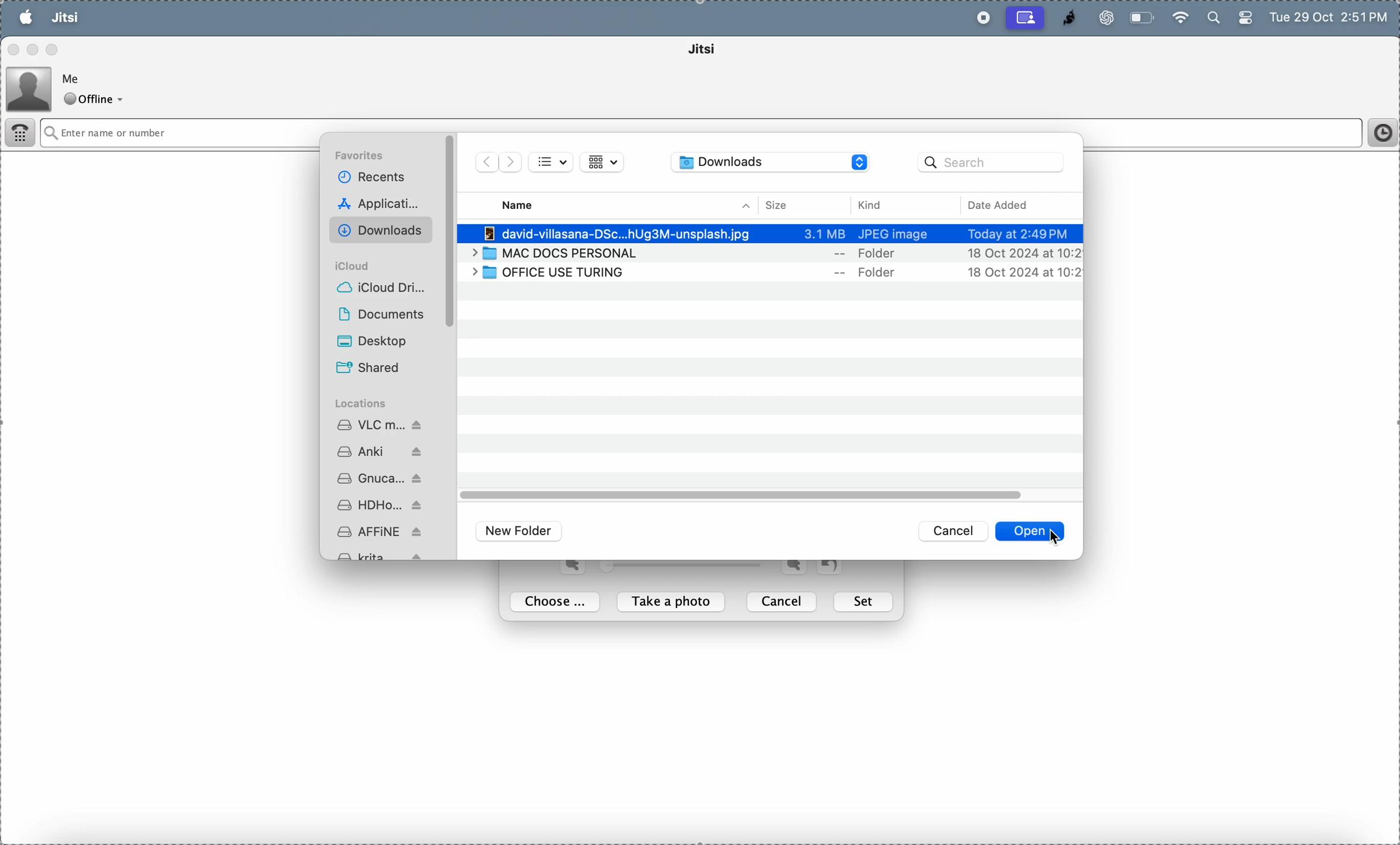  What do you see at coordinates (385, 555) in the screenshot?
I see `krita` at bounding box center [385, 555].